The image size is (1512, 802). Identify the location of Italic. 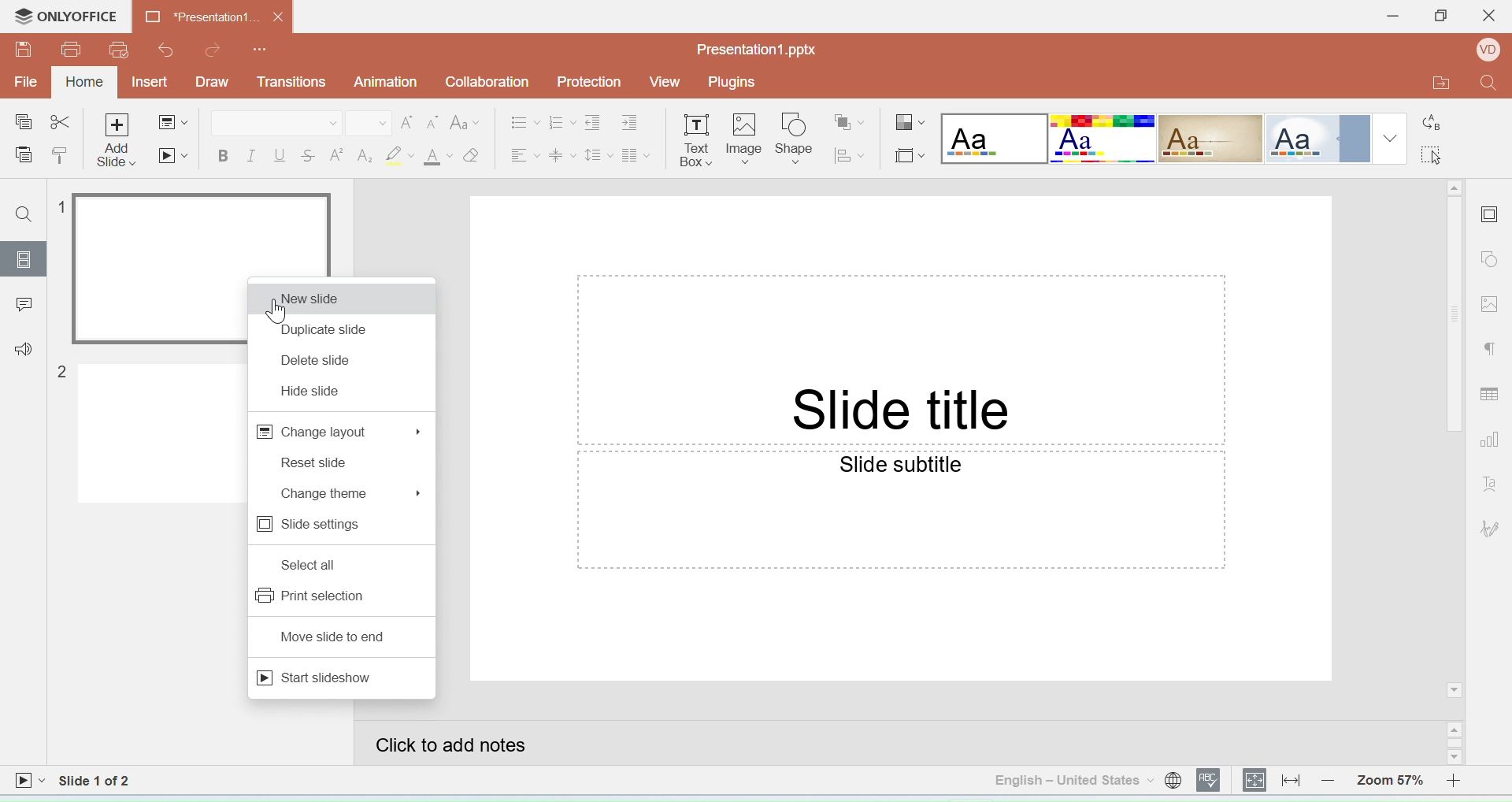
(250, 157).